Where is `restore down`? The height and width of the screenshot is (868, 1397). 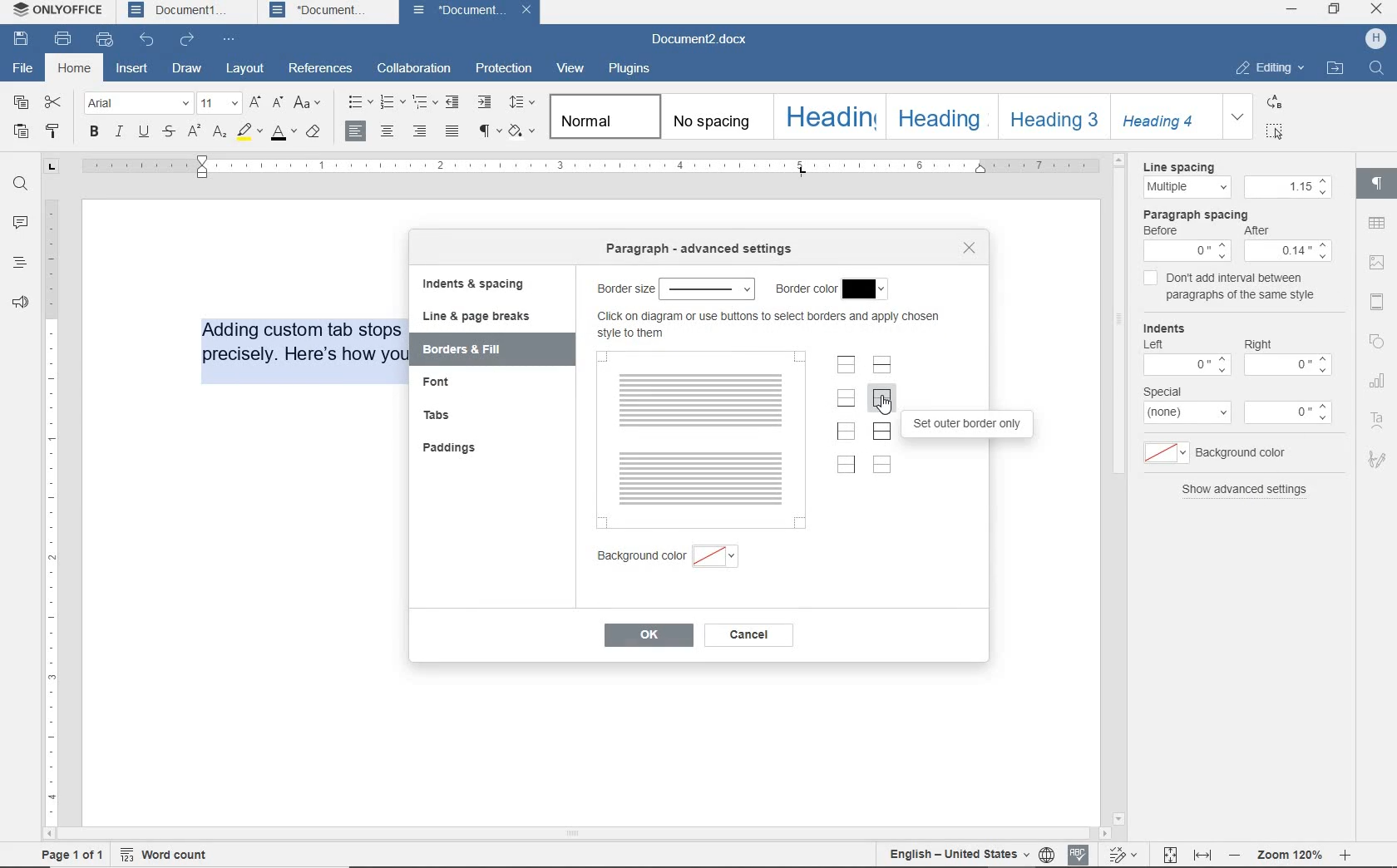
restore down is located at coordinates (1335, 8).